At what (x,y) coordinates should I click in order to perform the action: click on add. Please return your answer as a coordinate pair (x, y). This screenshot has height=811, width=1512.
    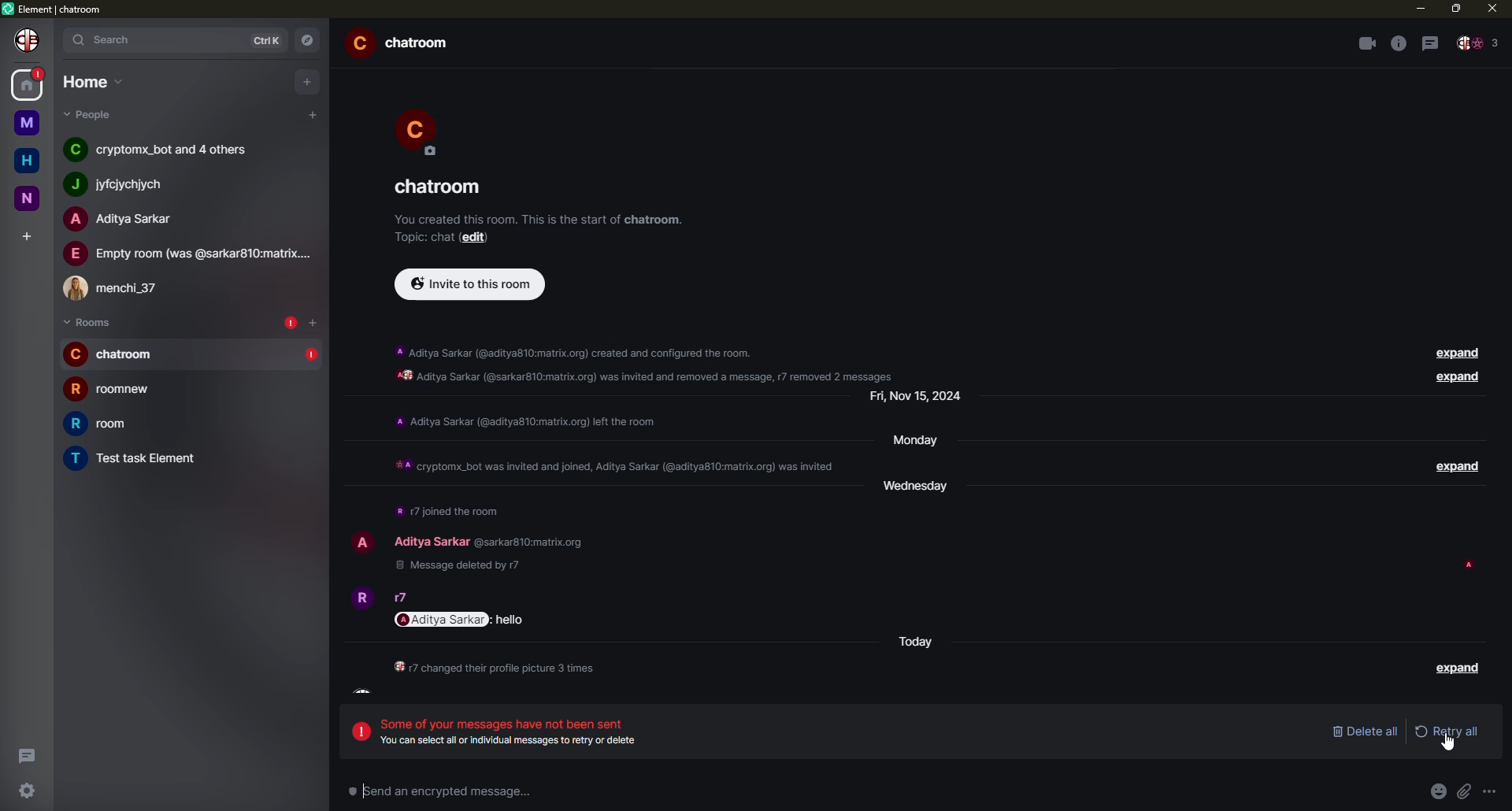
    Looking at the image, I should click on (25, 233).